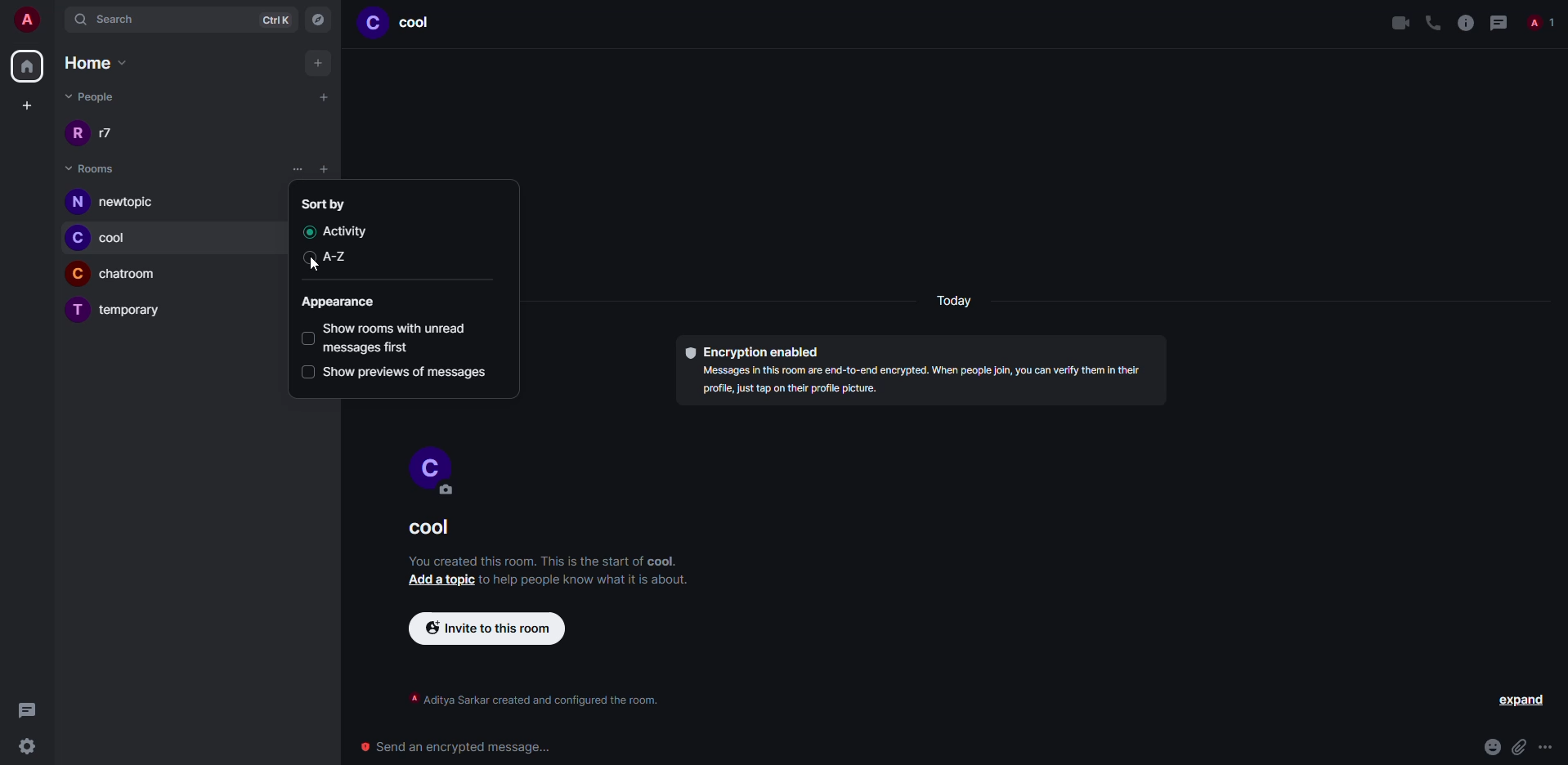  I want to click on encryption enabled, so click(750, 351).